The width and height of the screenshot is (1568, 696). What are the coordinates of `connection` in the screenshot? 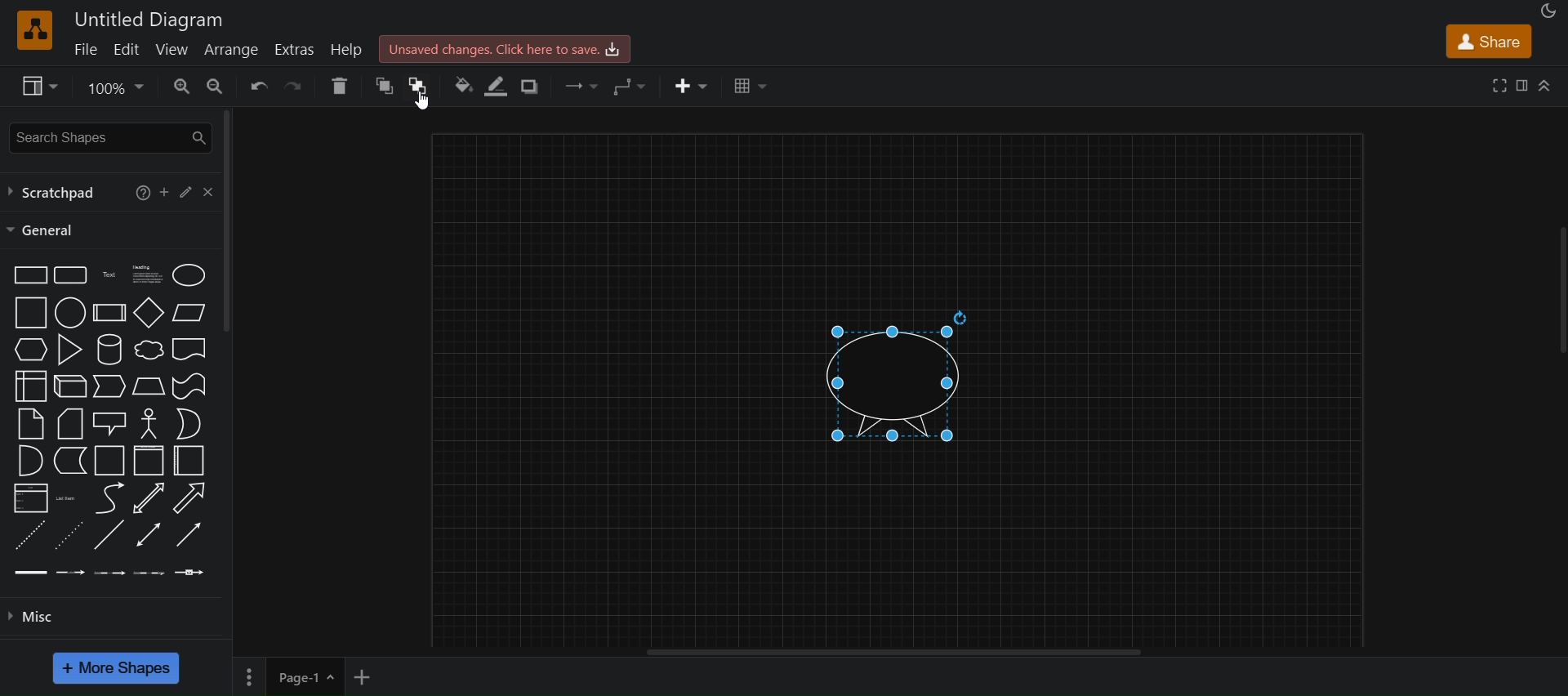 It's located at (581, 87).